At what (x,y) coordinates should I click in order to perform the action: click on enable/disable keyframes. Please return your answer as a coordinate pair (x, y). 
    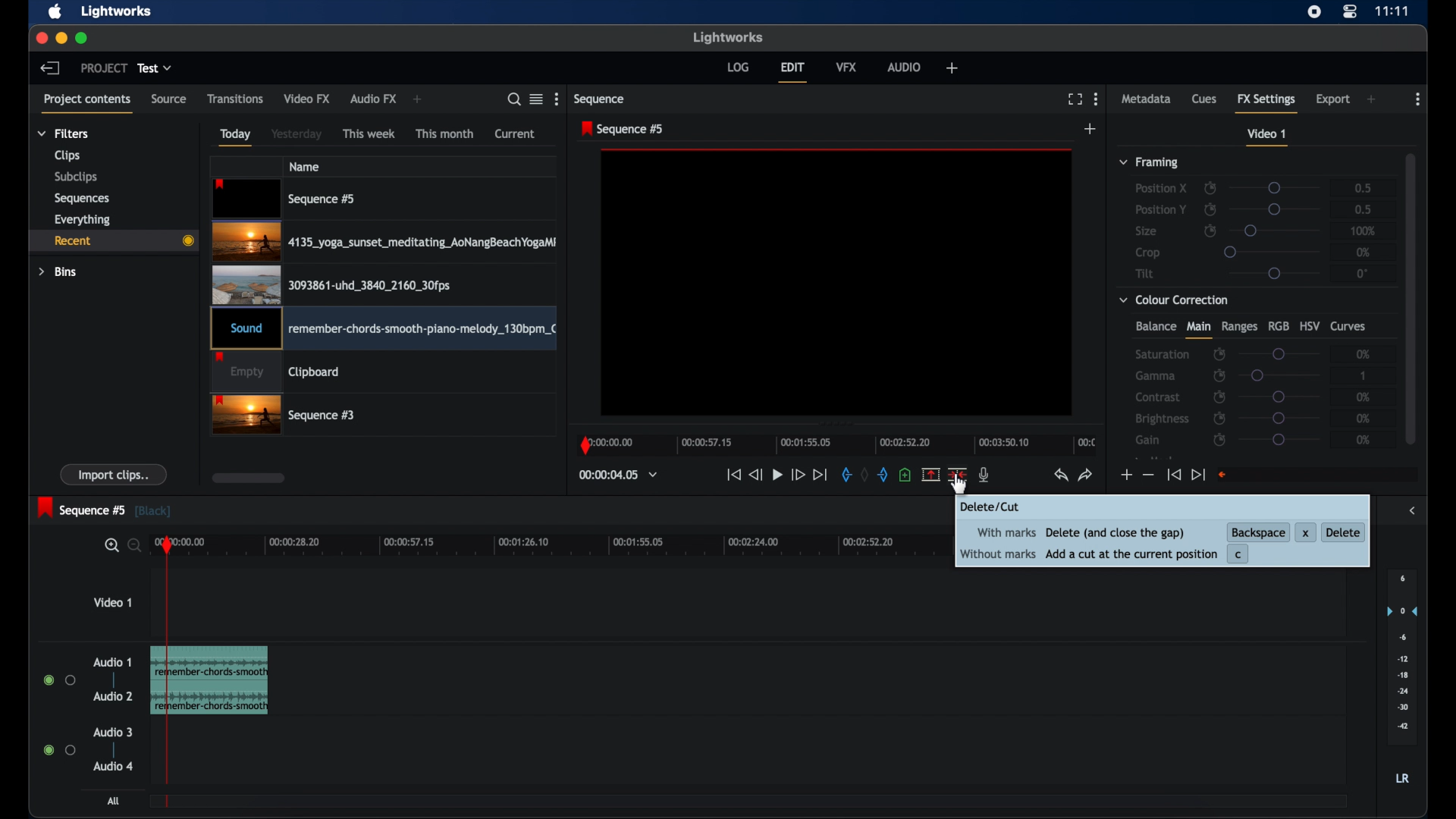
    Looking at the image, I should click on (1210, 187).